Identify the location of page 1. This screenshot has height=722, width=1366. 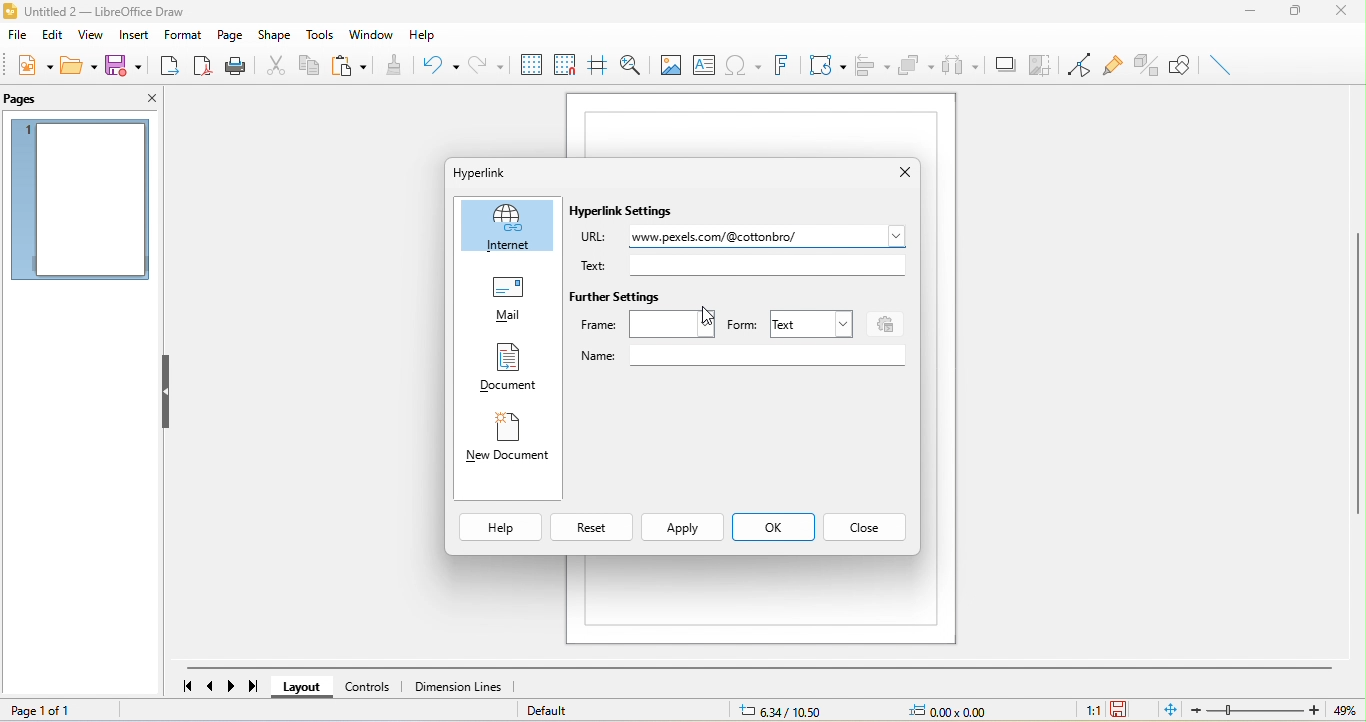
(79, 197).